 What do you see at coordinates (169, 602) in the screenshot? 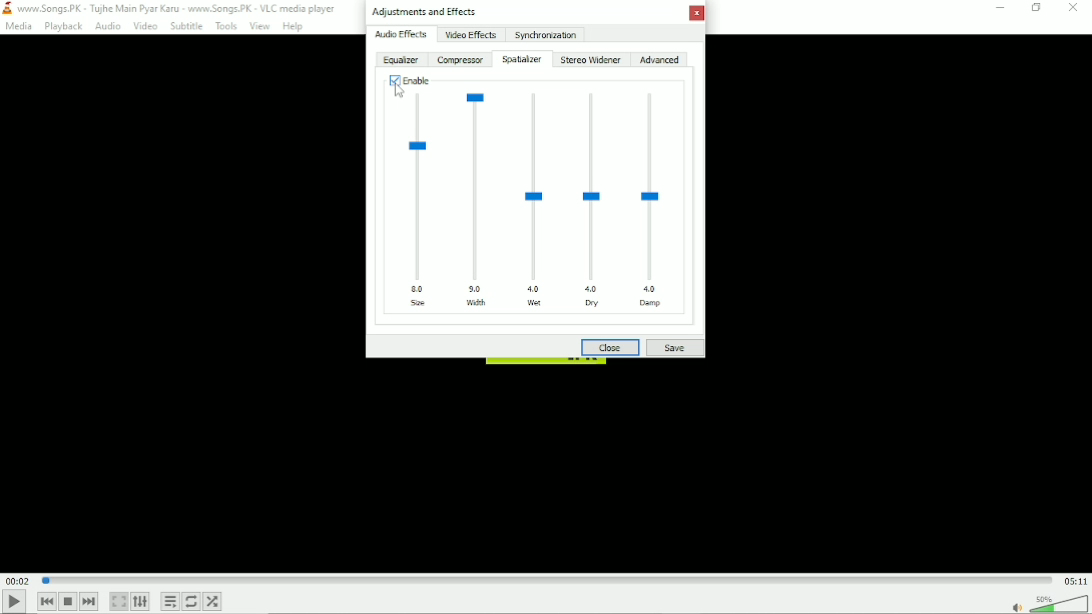
I see `Toggle playlist` at bounding box center [169, 602].